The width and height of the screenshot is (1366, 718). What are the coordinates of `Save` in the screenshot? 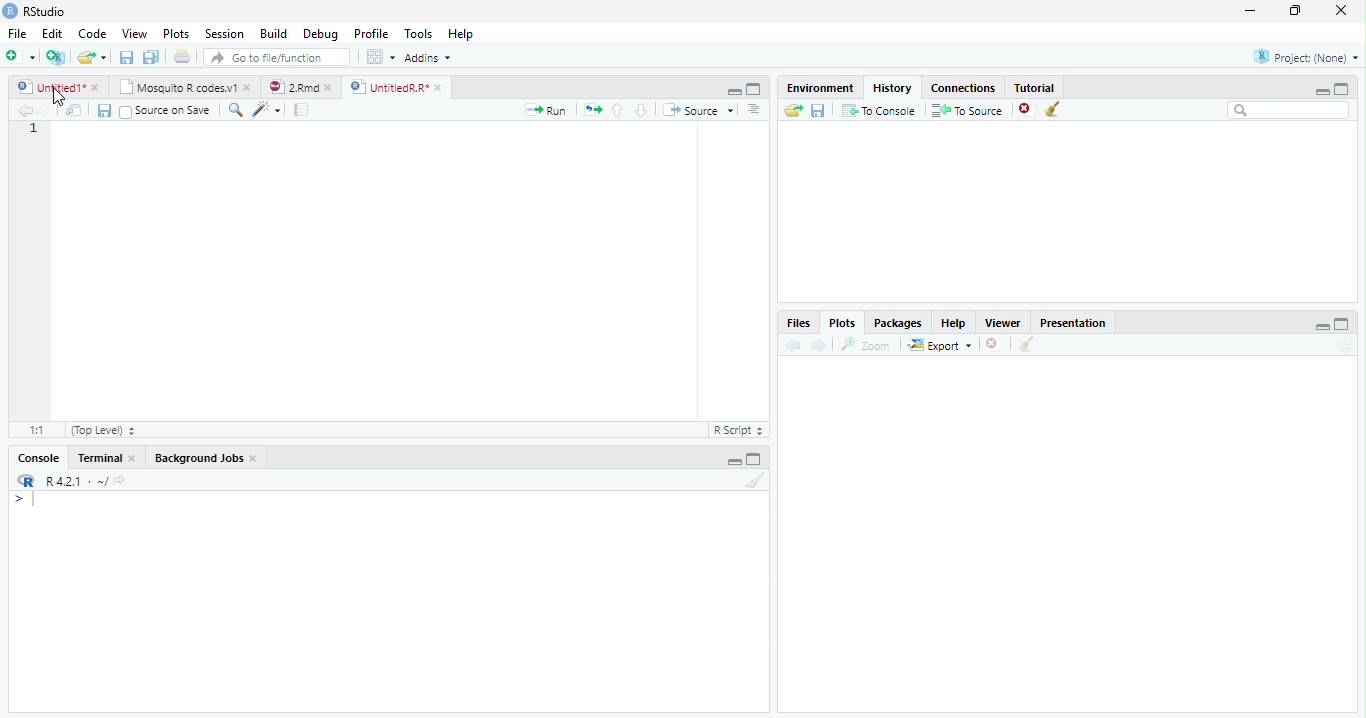 It's located at (128, 58).